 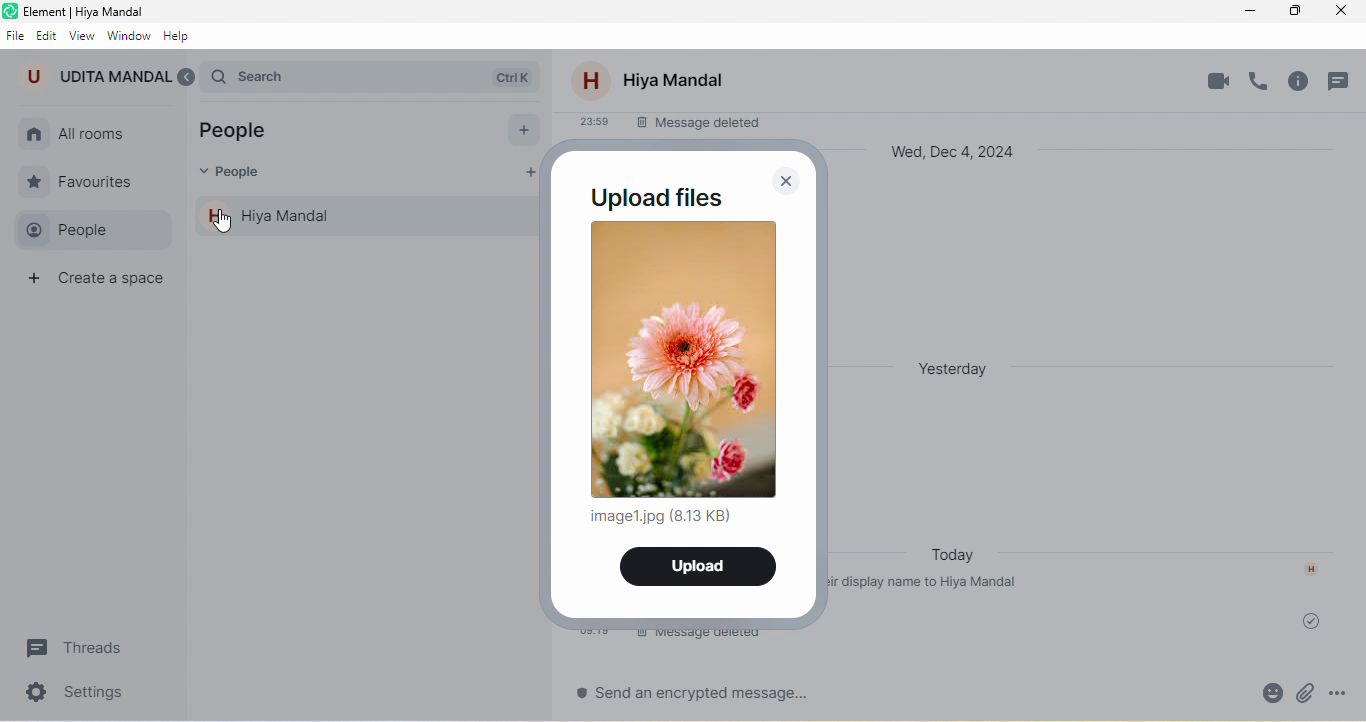 I want to click on hiya mandal, so click(x=370, y=217).